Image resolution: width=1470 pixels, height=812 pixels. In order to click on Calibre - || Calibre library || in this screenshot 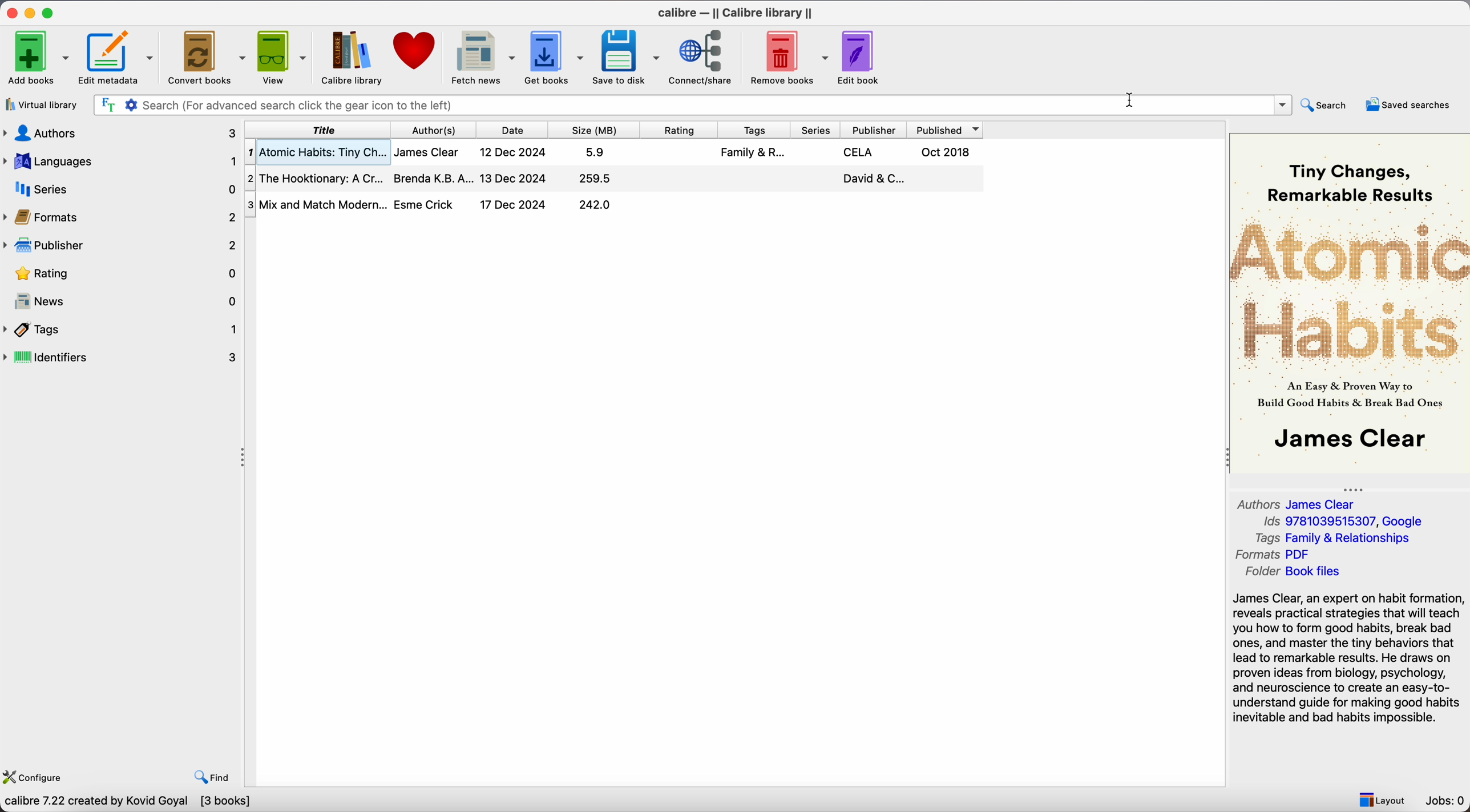, I will do `click(734, 11)`.